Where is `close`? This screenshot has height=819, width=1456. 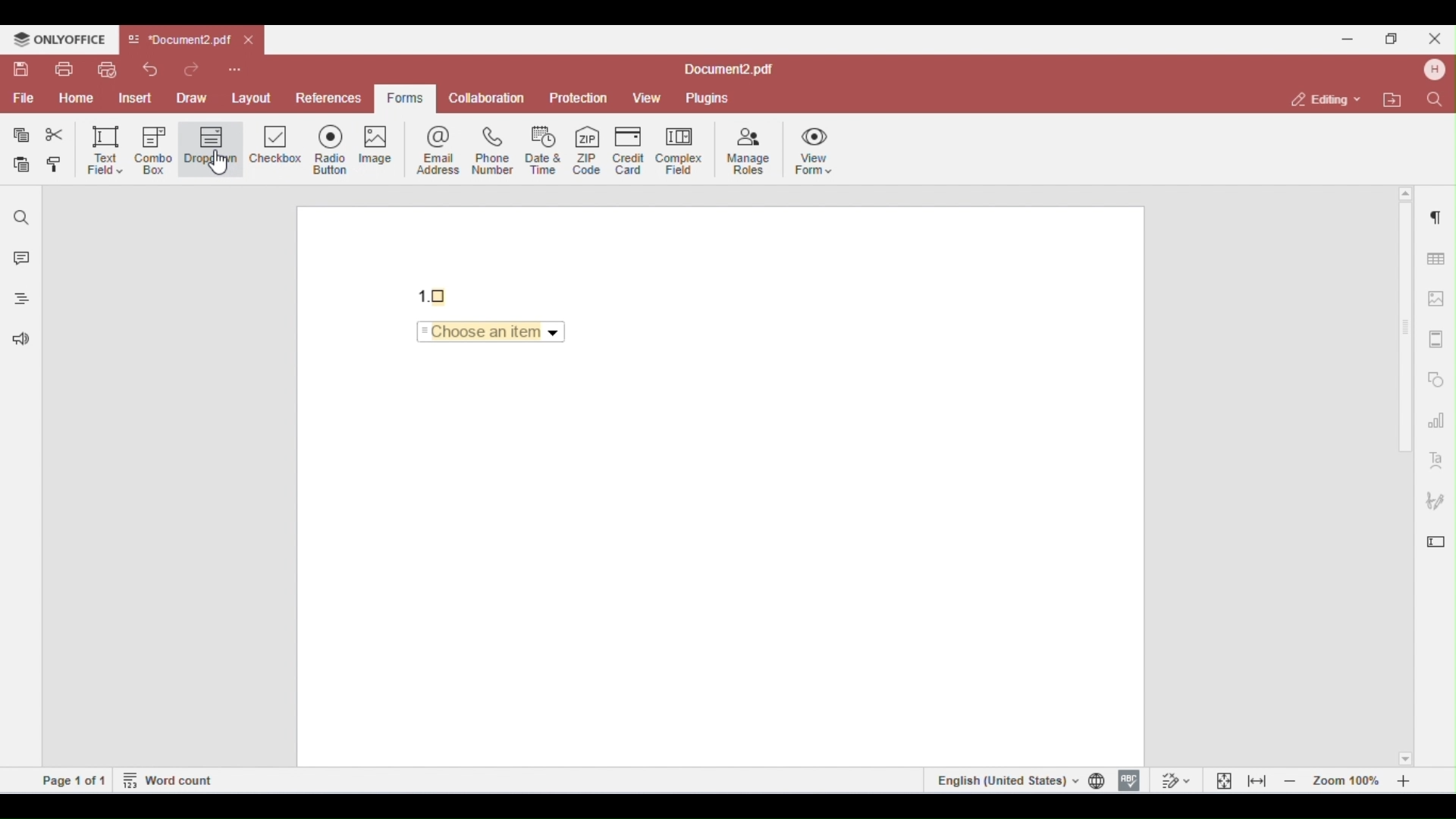
close is located at coordinates (250, 41).